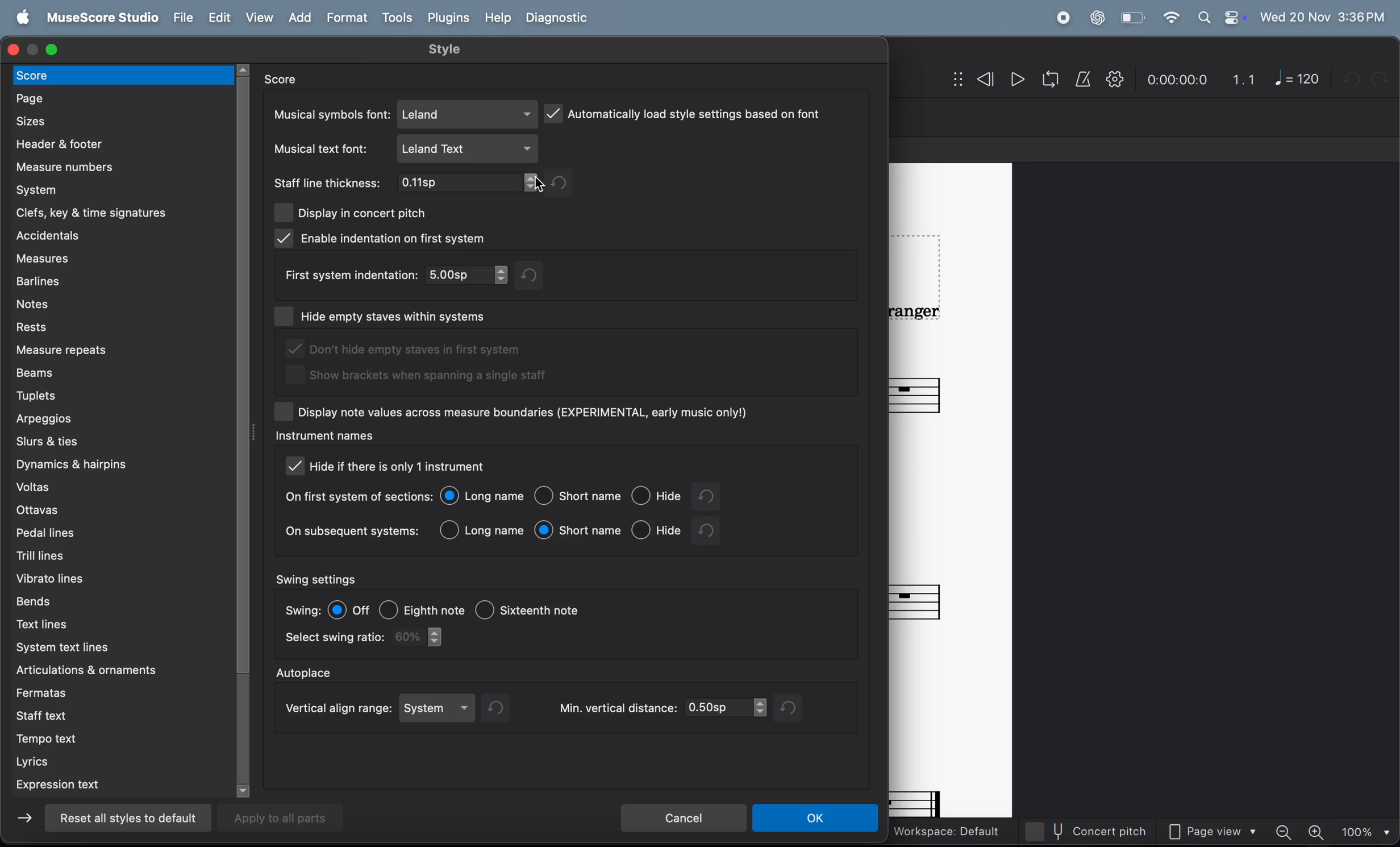  What do you see at coordinates (580, 497) in the screenshot?
I see `short naame` at bounding box center [580, 497].